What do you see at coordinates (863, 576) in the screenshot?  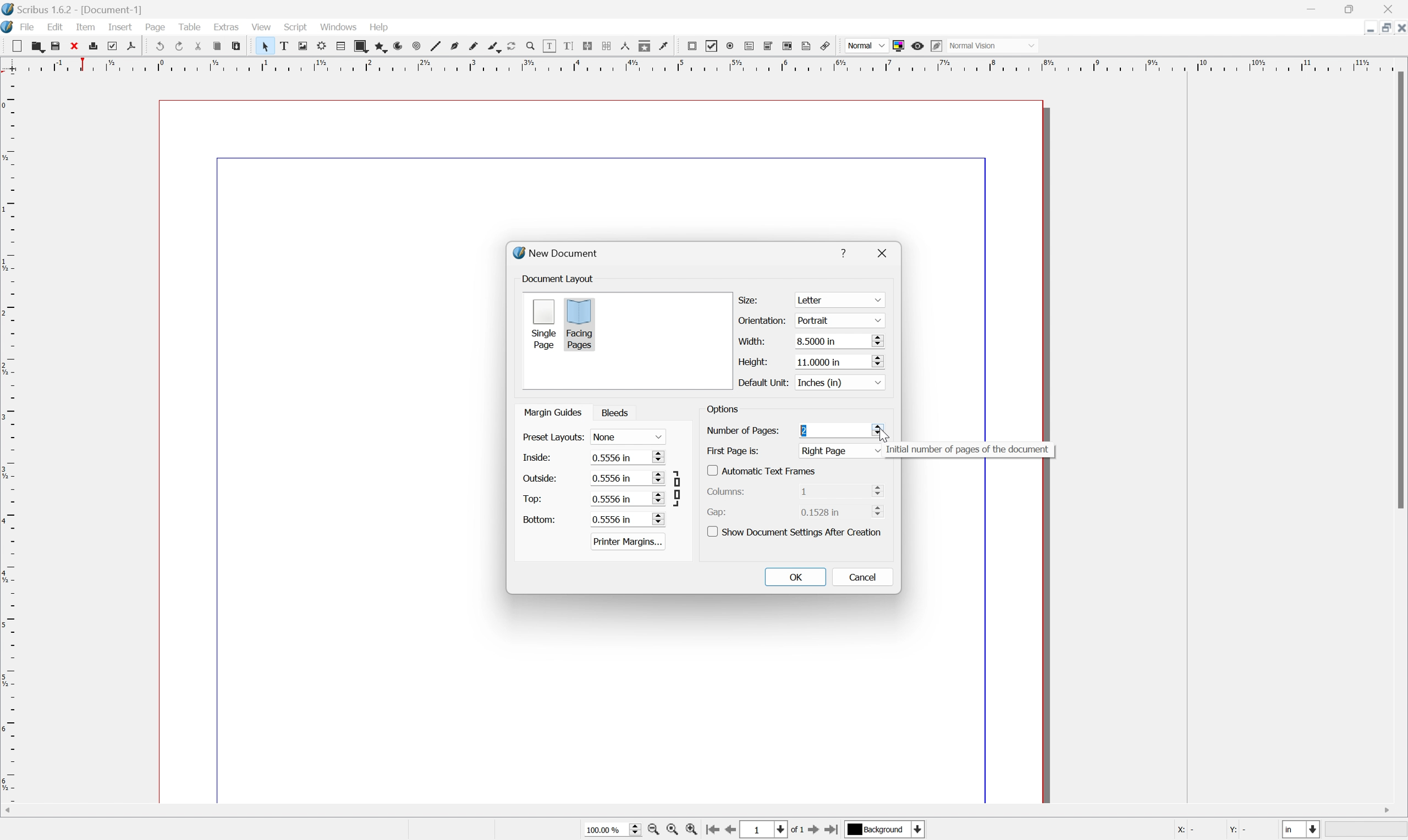 I see `cancel` at bounding box center [863, 576].